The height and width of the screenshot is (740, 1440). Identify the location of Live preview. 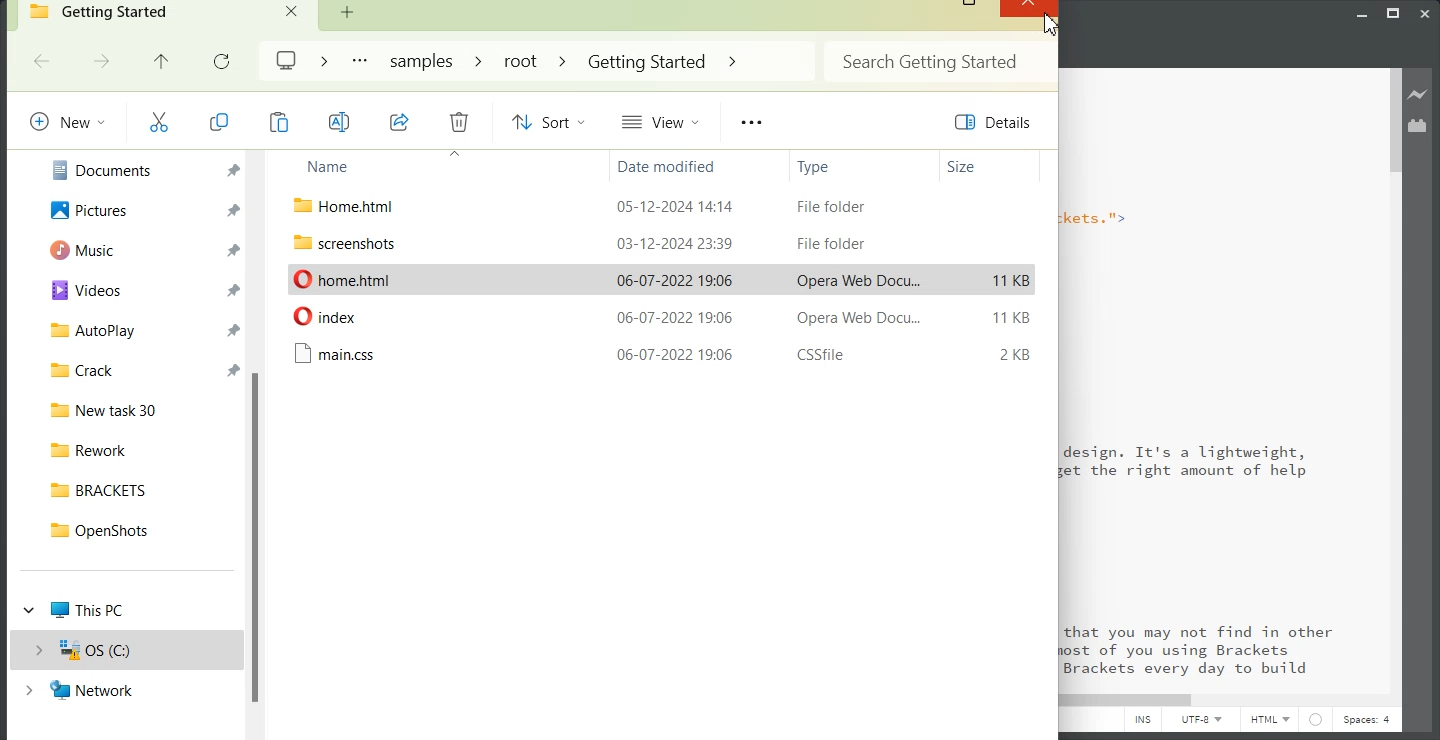
(1419, 94).